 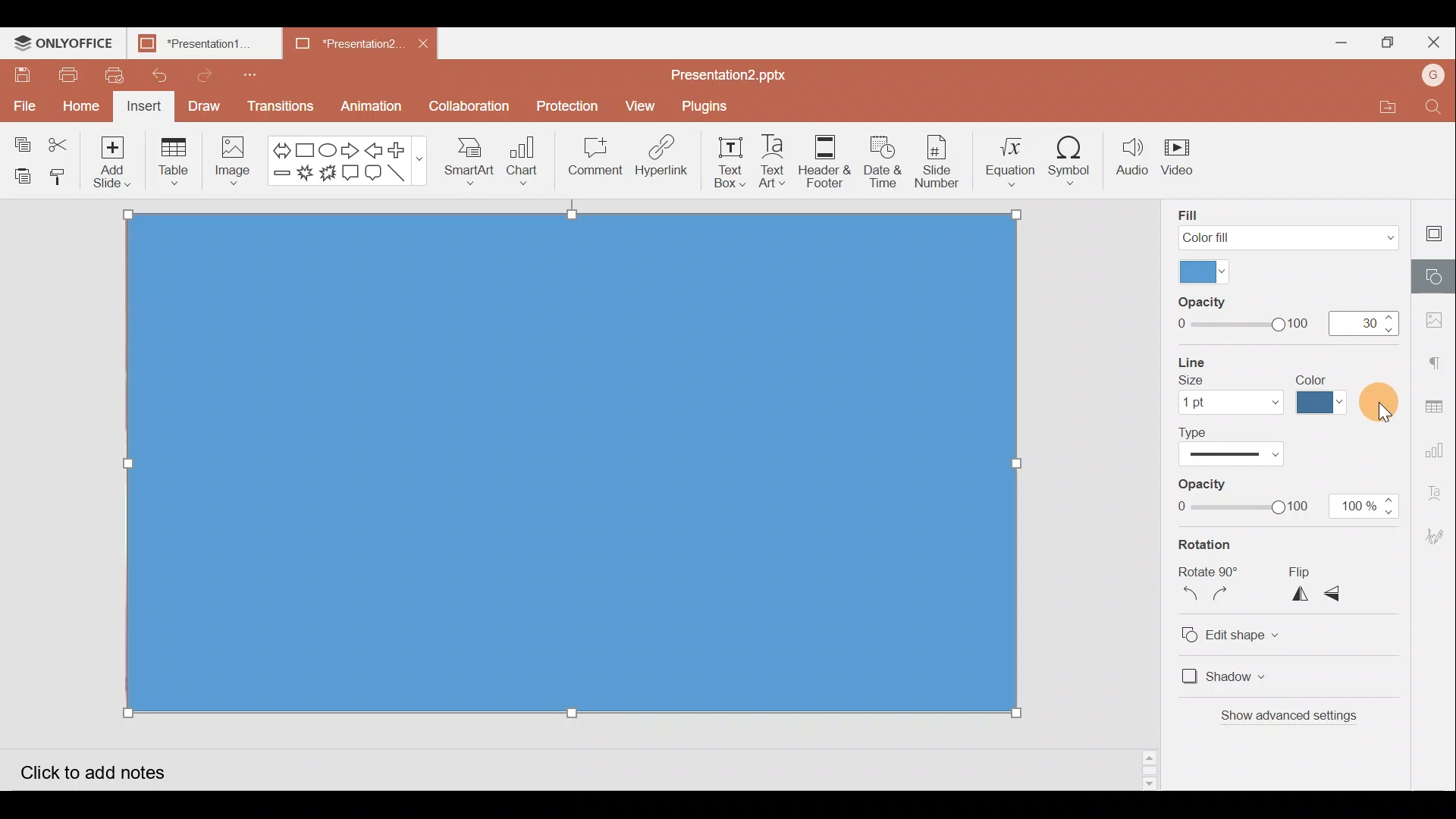 What do you see at coordinates (1341, 42) in the screenshot?
I see `Minimize` at bounding box center [1341, 42].